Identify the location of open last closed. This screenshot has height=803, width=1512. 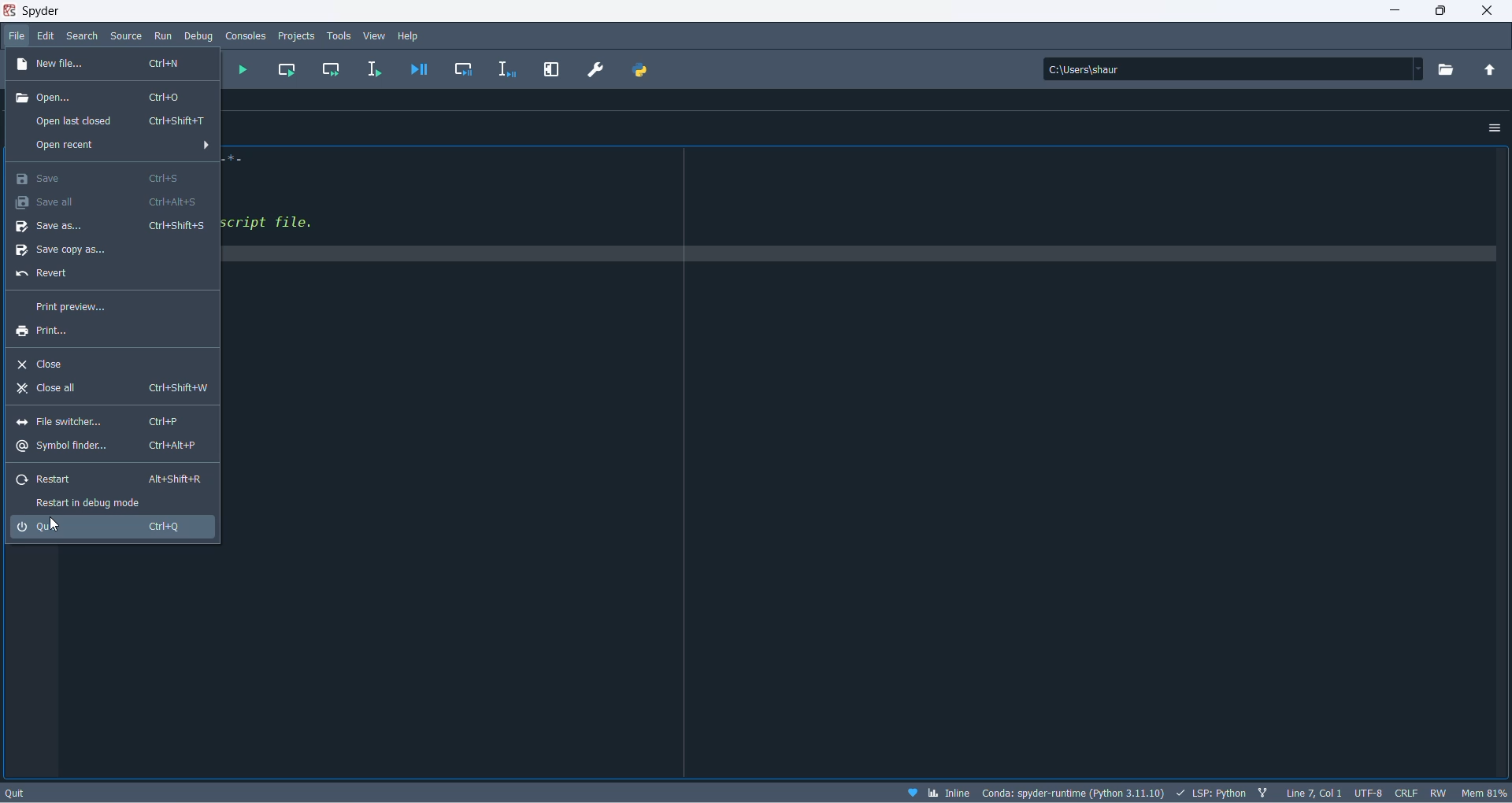
(114, 121).